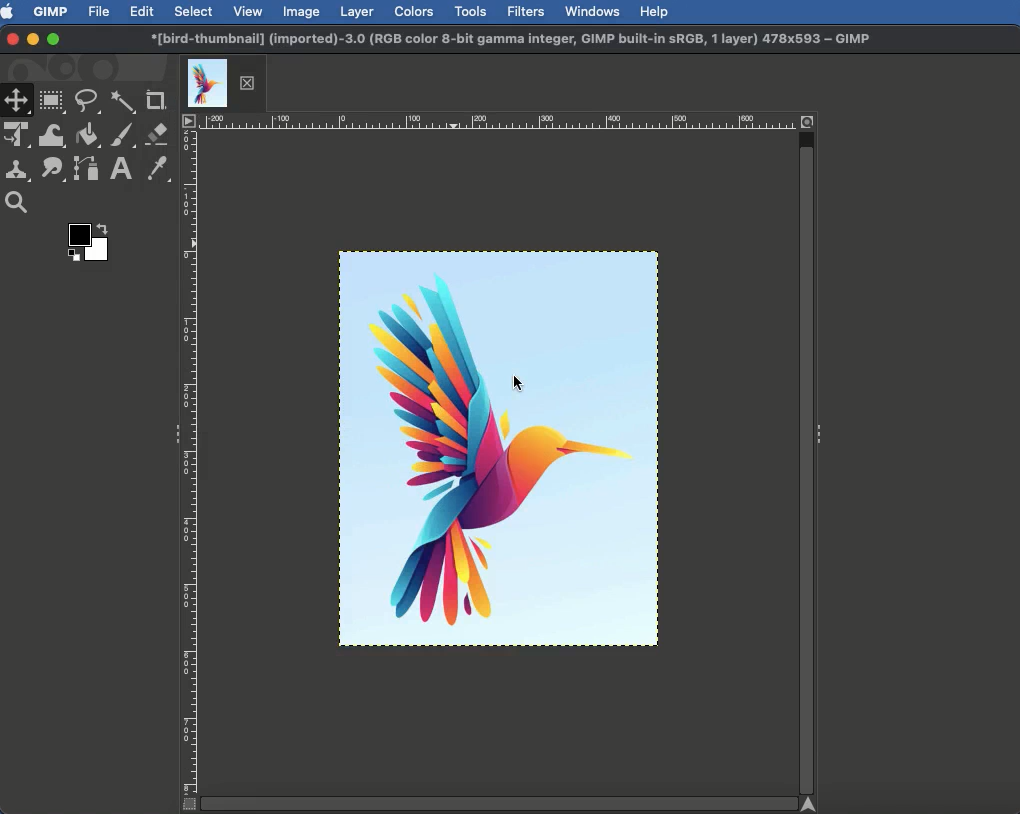 This screenshot has height=814, width=1020. I want to click on Options, so click(187, 119).